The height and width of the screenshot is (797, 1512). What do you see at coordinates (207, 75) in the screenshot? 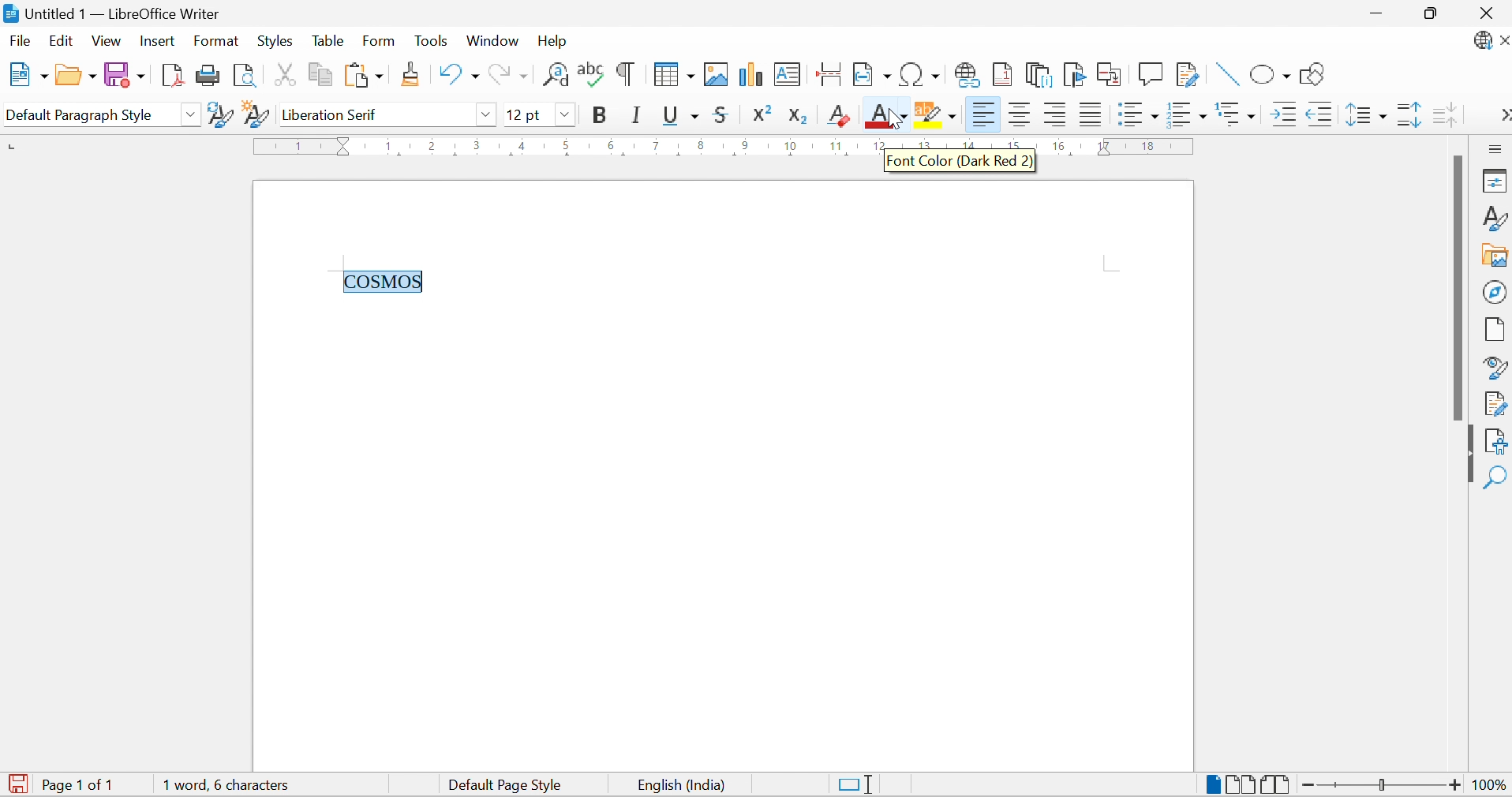
I see `Print` at bounding box center [207, 75].